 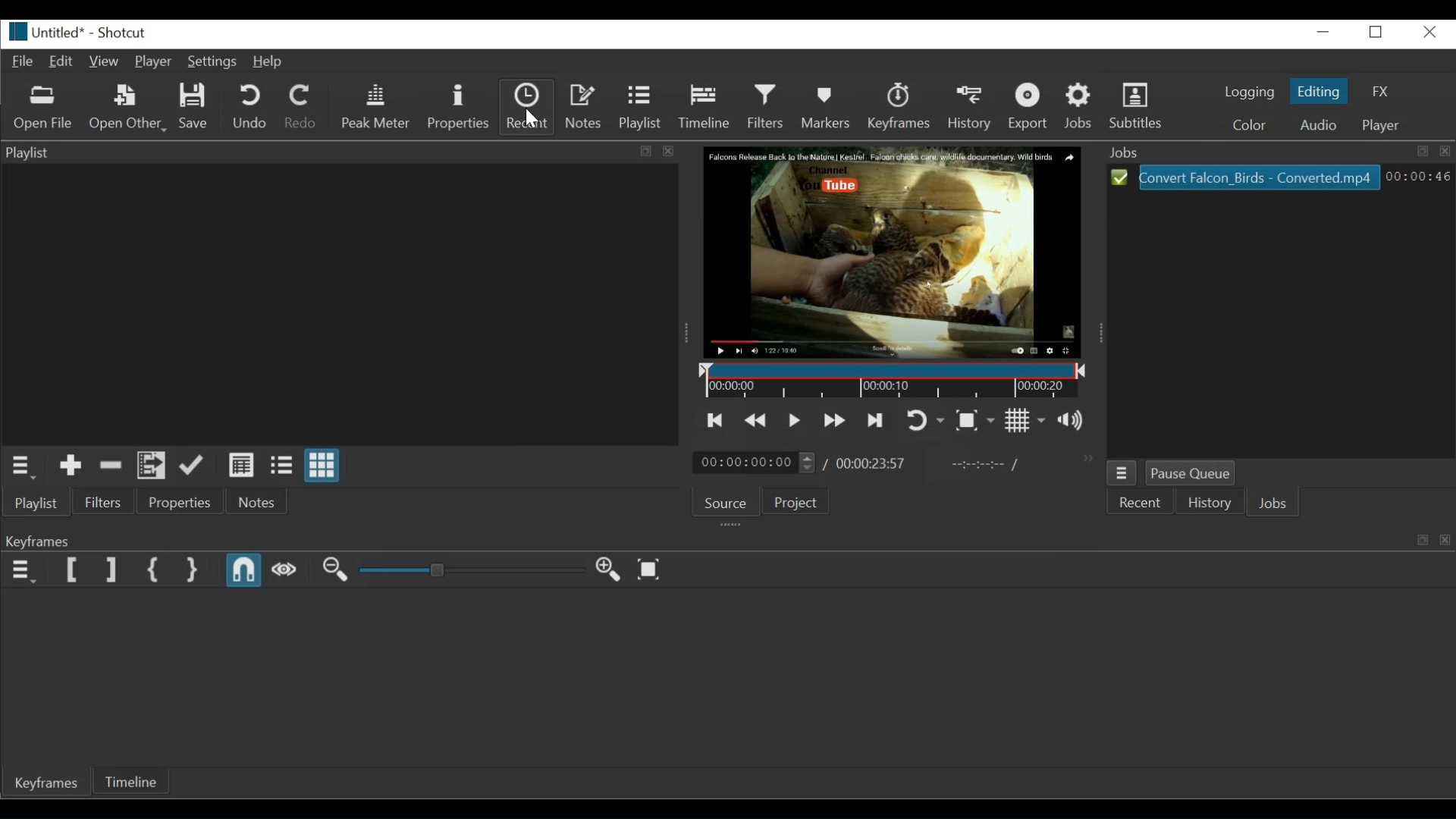 I want to click on Play quickly forward, so click(x=830, y=420).